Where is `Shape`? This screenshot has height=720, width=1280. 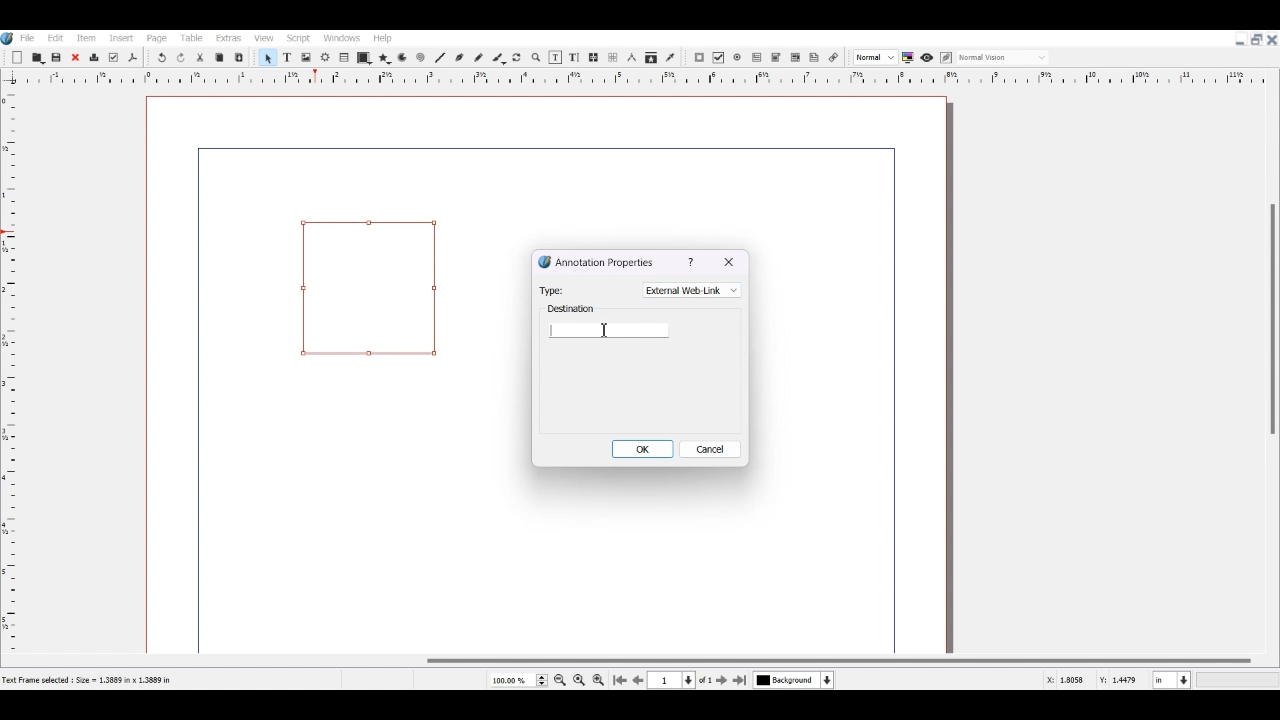
Shape is located at coordinates (364, 58).